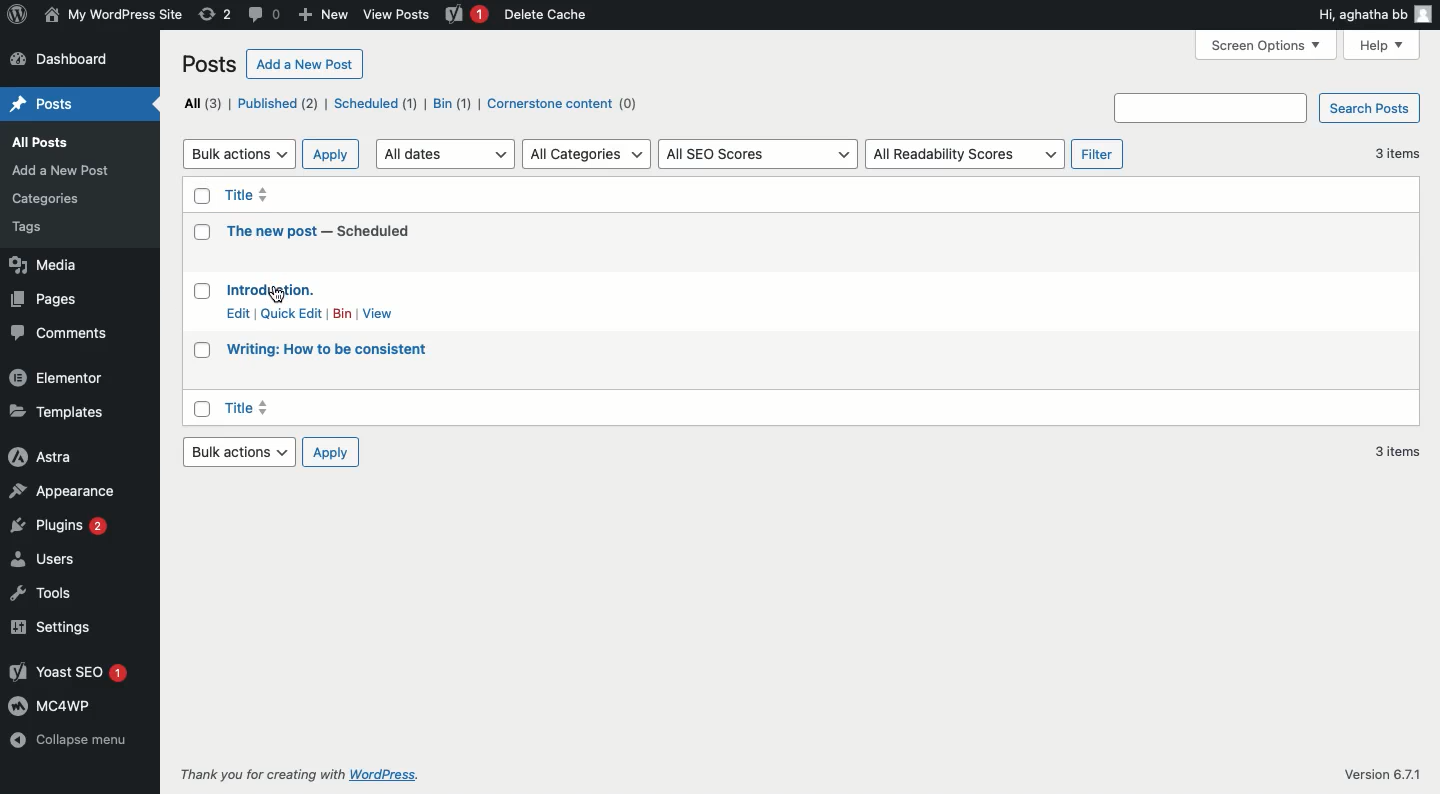  What do you see at coordinates (292, 315) in the screenshot?
I see `Quick edit` at bounding box center [292, 315].